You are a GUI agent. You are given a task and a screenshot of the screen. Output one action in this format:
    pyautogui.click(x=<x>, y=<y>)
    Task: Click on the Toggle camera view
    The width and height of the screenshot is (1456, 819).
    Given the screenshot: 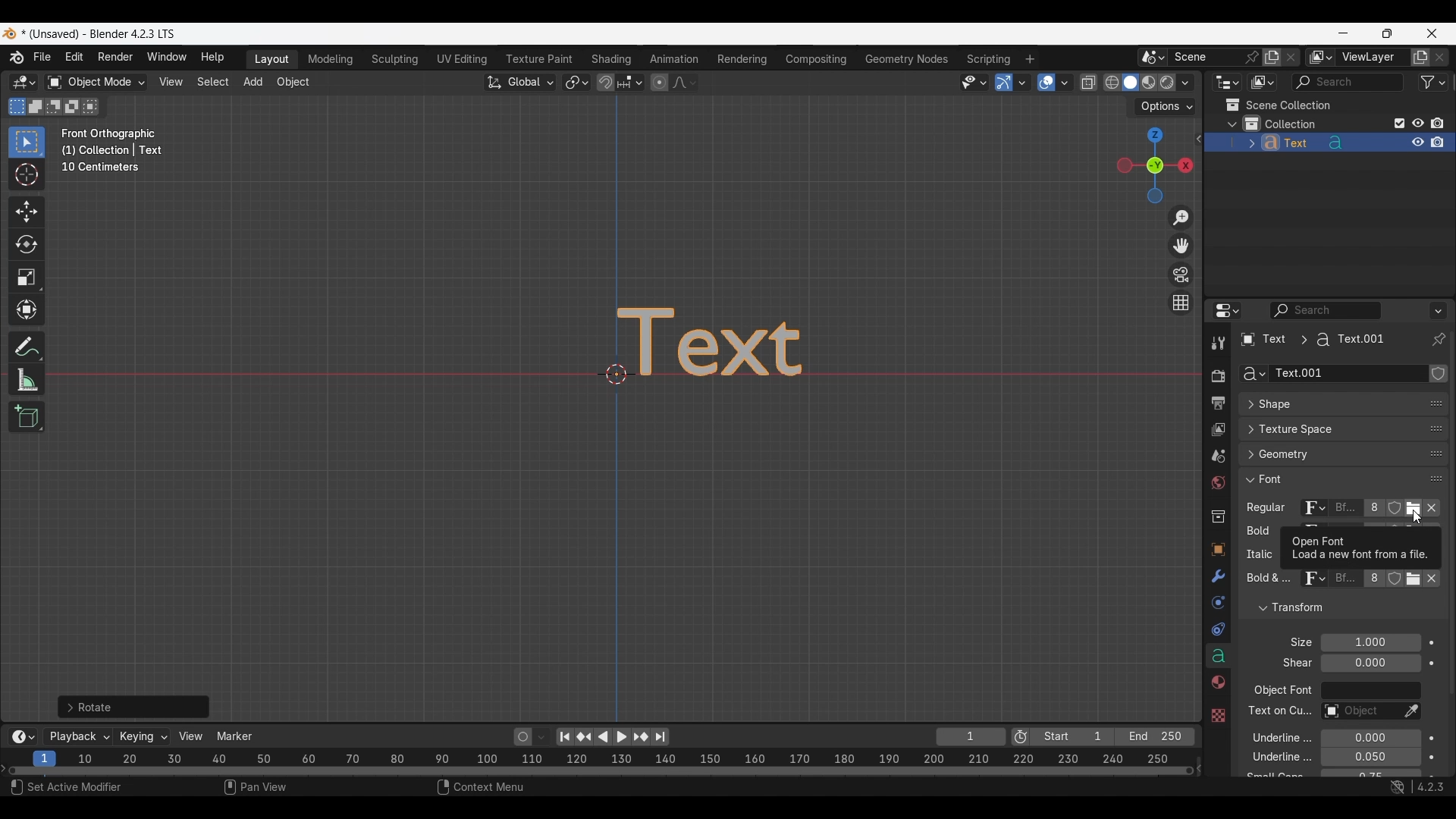 What is the action you would take?
    pyautogui.click(x=1181, y=274)
    